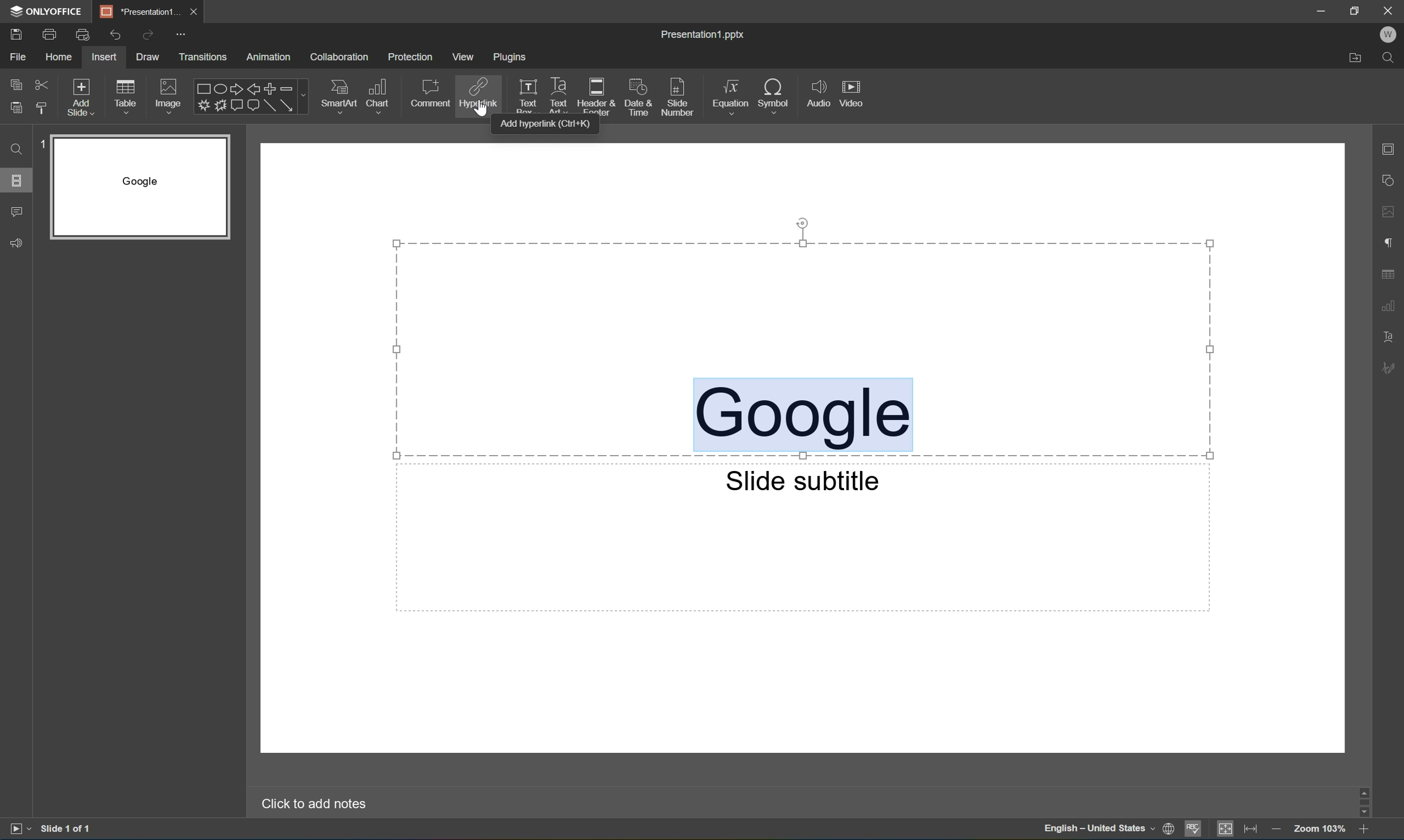  What do you see at coordinates (731, 98) in the screenshot?
I see `Equation` at bounding box center [731, 98].